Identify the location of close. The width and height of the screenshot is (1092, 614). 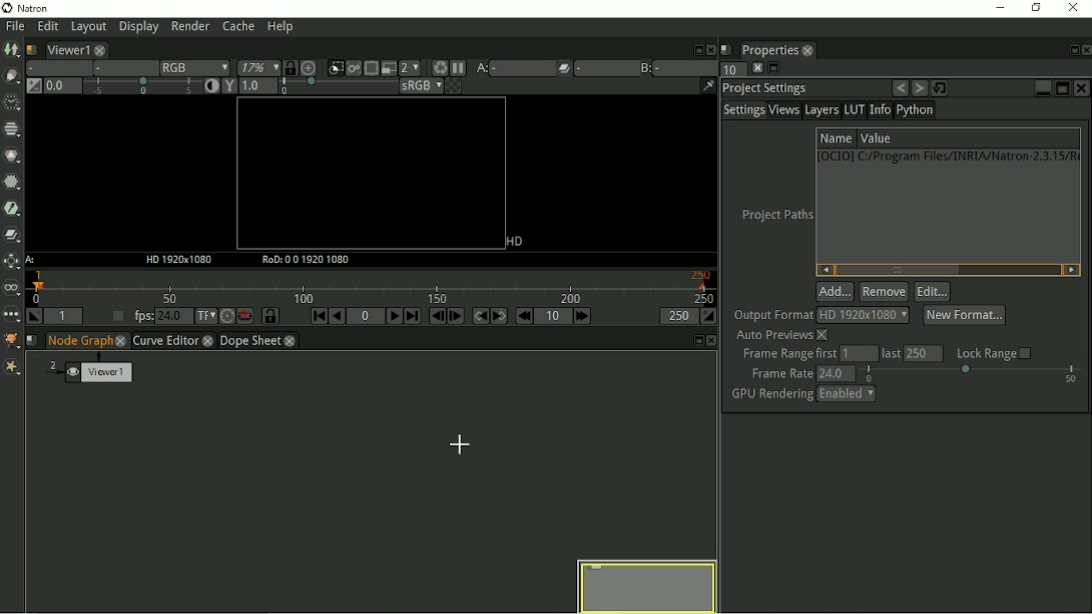
(824, 334).